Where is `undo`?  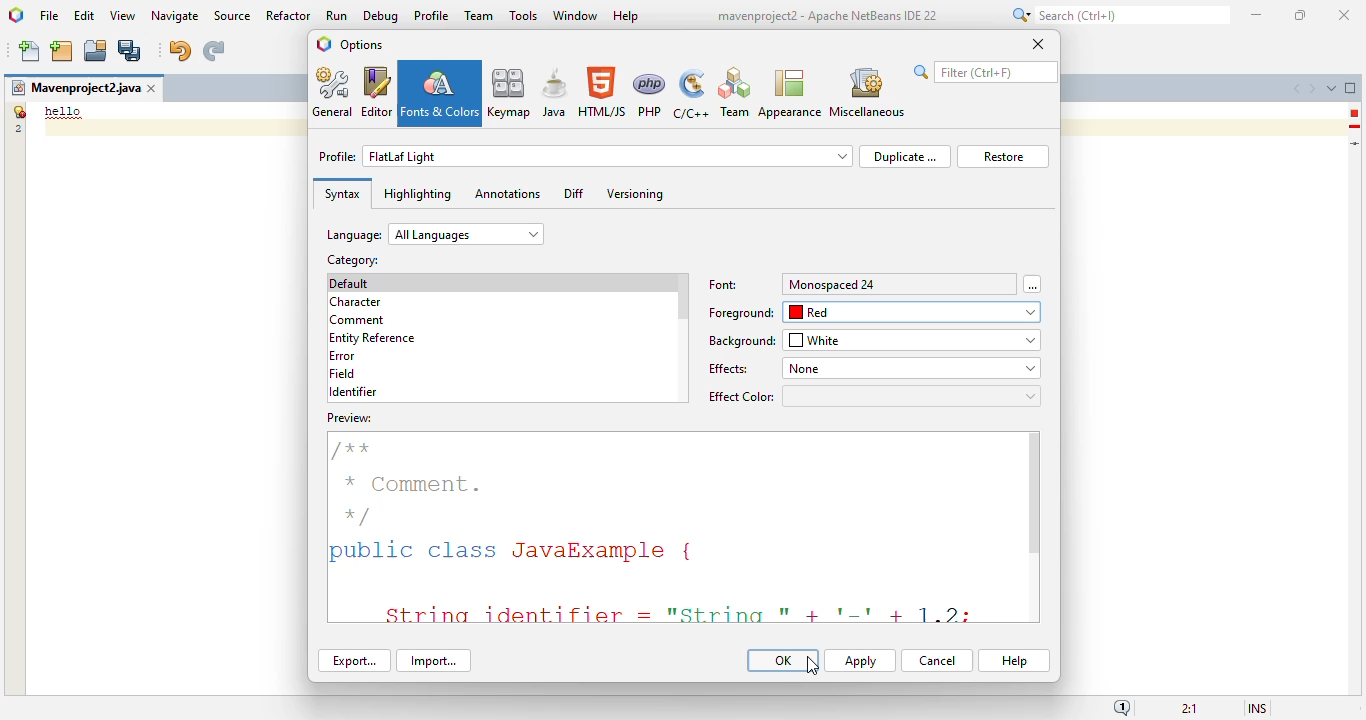
undo is located at coordinates (179, 51).